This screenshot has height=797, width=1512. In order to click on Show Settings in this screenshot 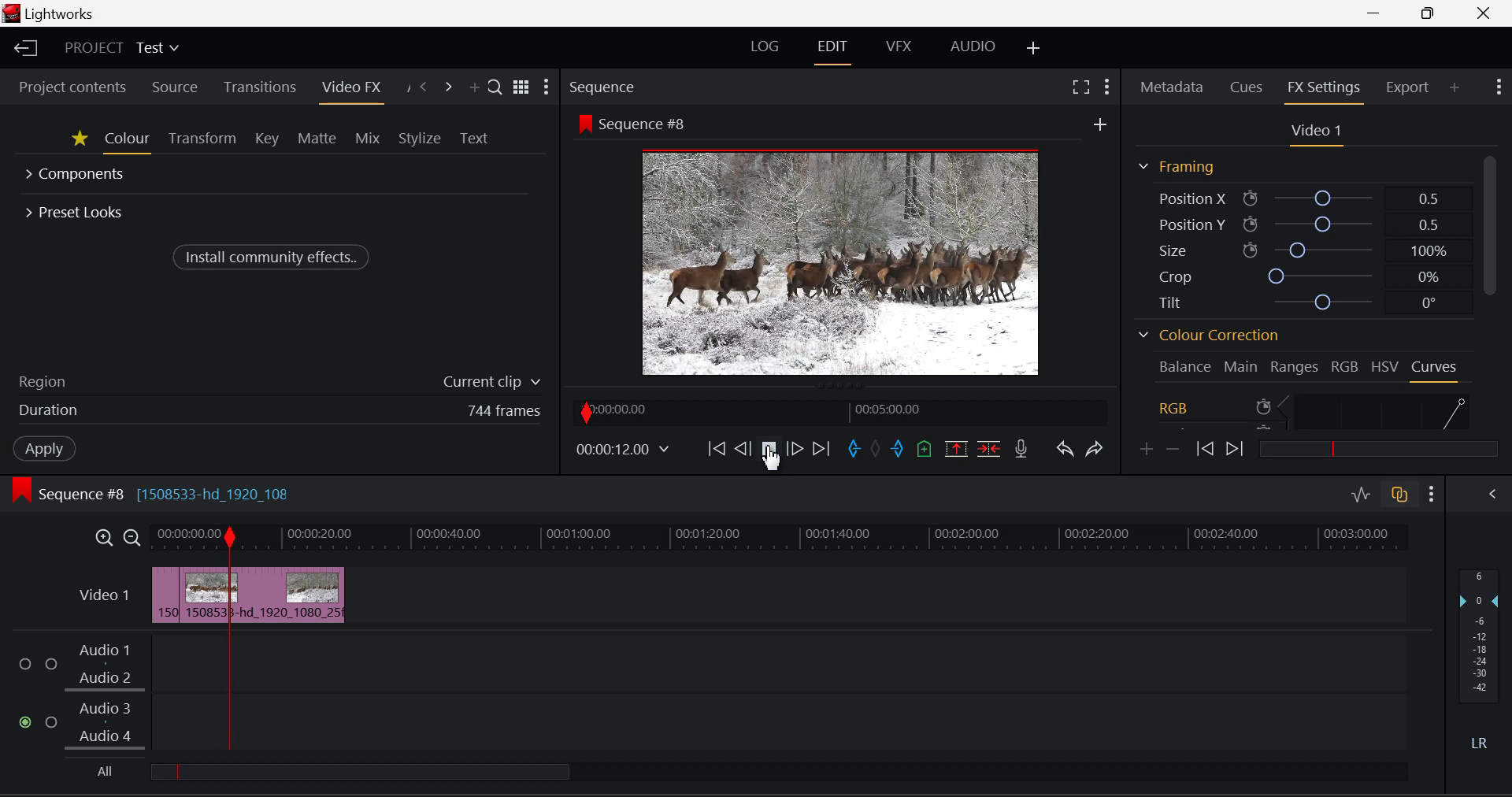, I will do `click(1498, 89)`.